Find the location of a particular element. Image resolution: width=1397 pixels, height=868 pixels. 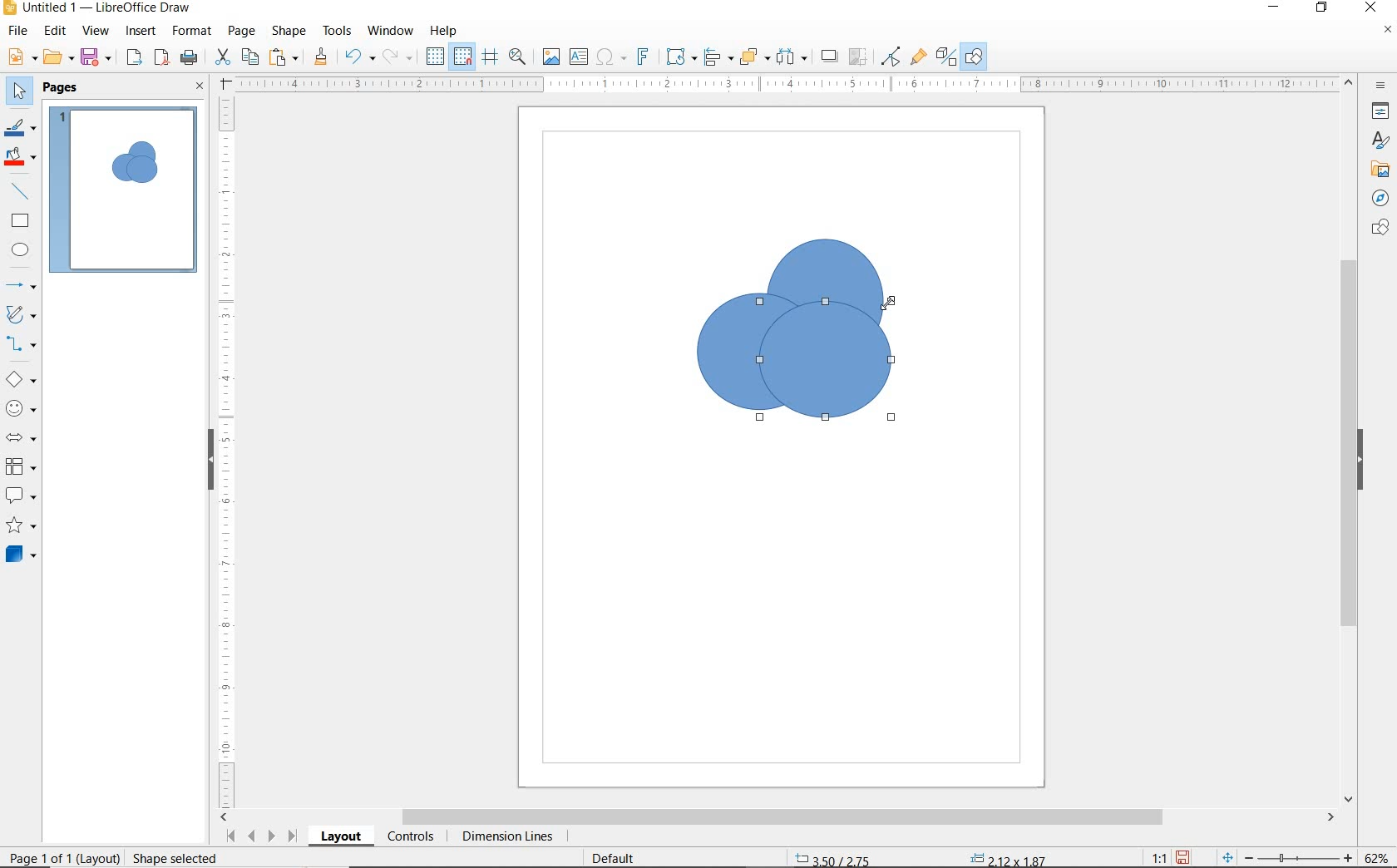

RESTORE DOWN is located at coordinates (1322, 8).